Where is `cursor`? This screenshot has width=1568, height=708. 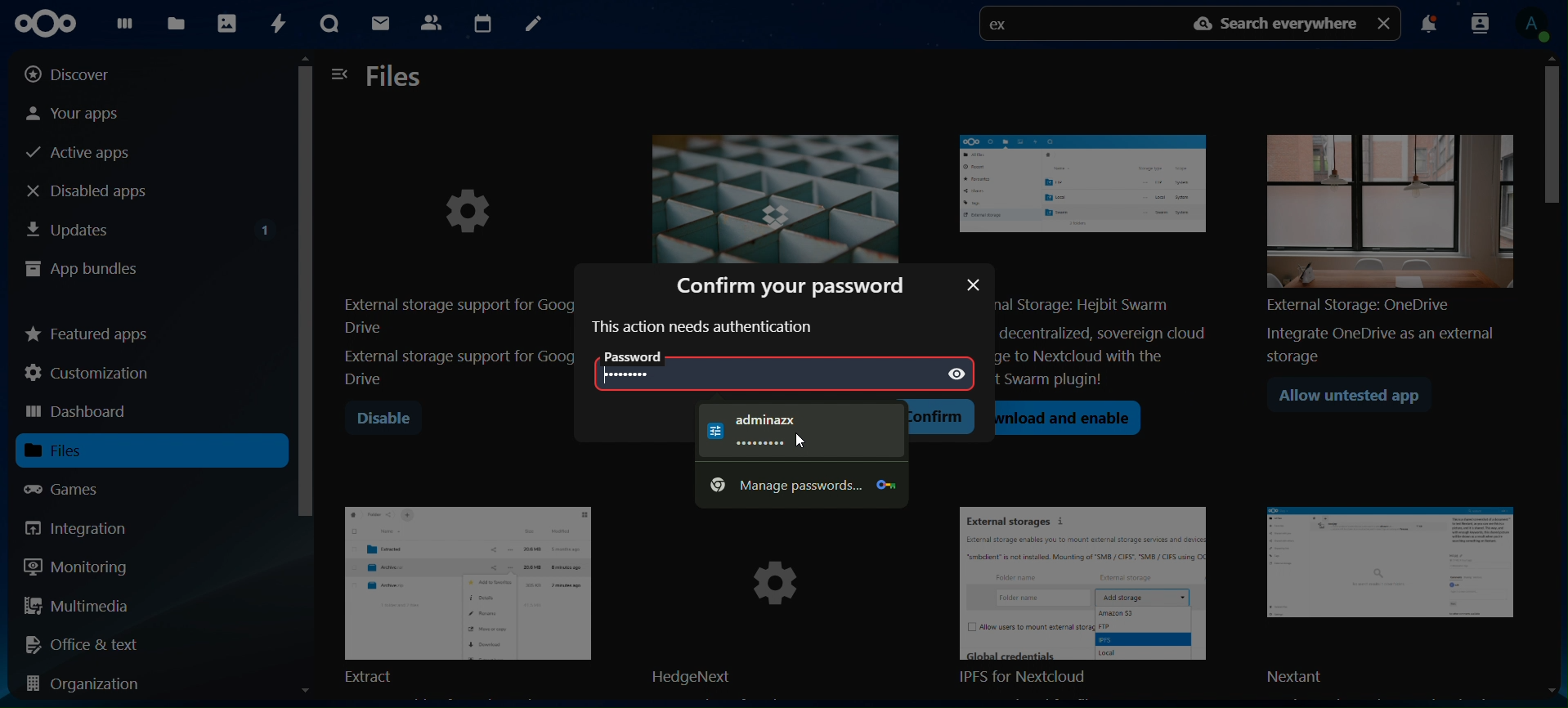
cursor is located at coordinates (798, 438).